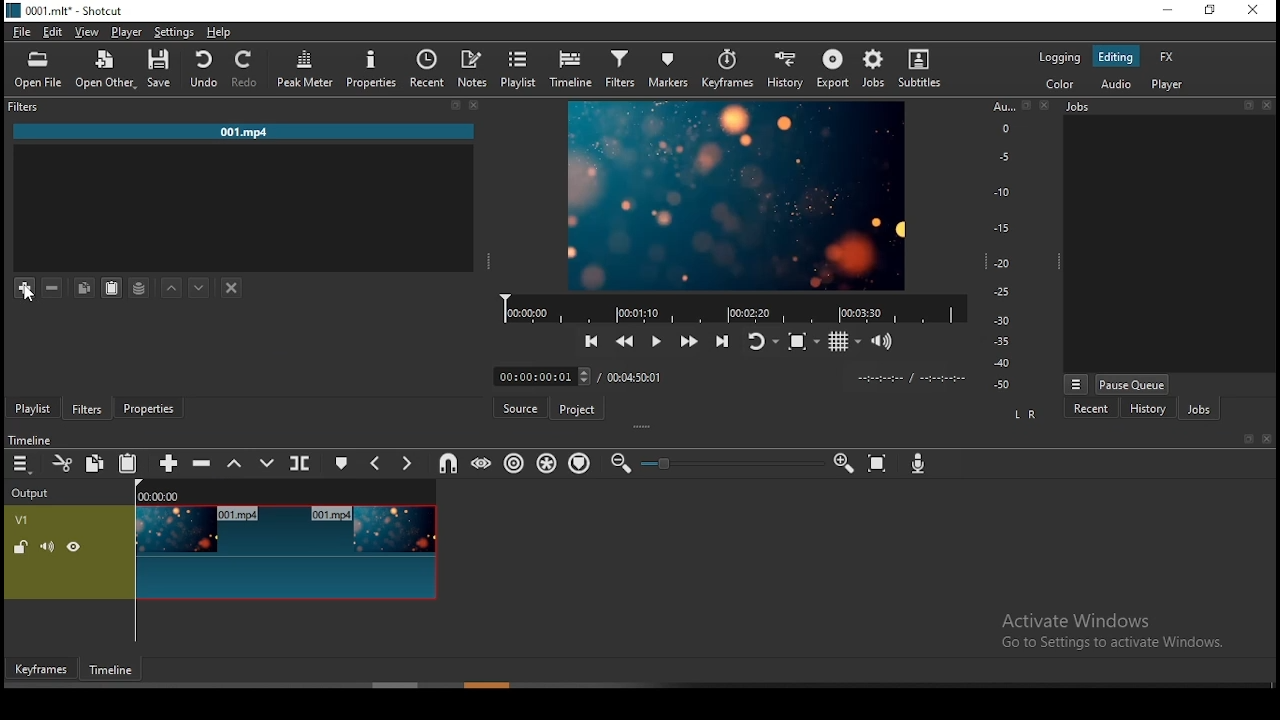 The image size is (1280, 720). What do you see at coordinates (842, 343) in the screenshot?
I see `toggle grid display on the player` at bounding box center [842, 343].